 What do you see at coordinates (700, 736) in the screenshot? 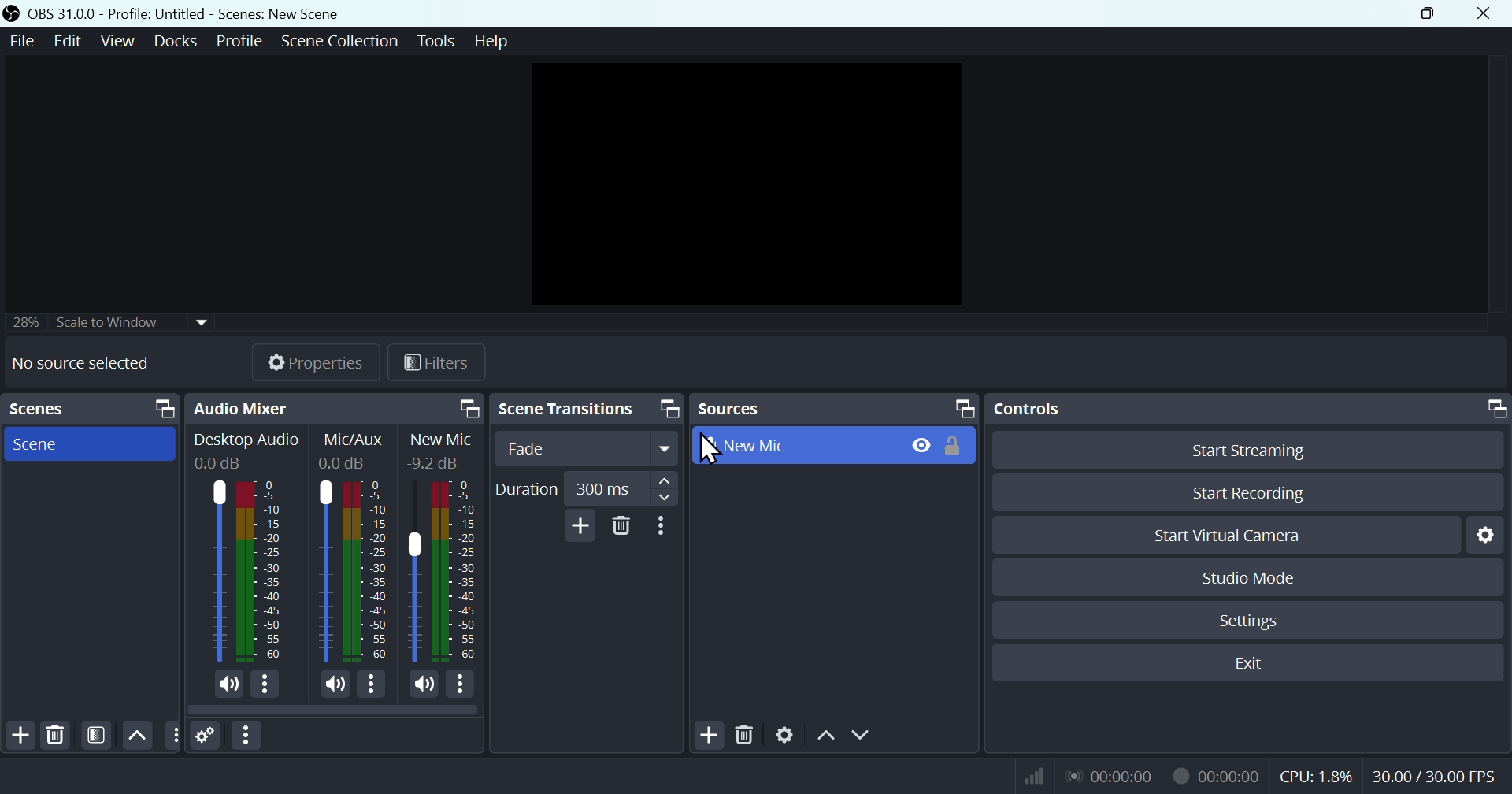
I see `Add` at bounding box center [700, 736].